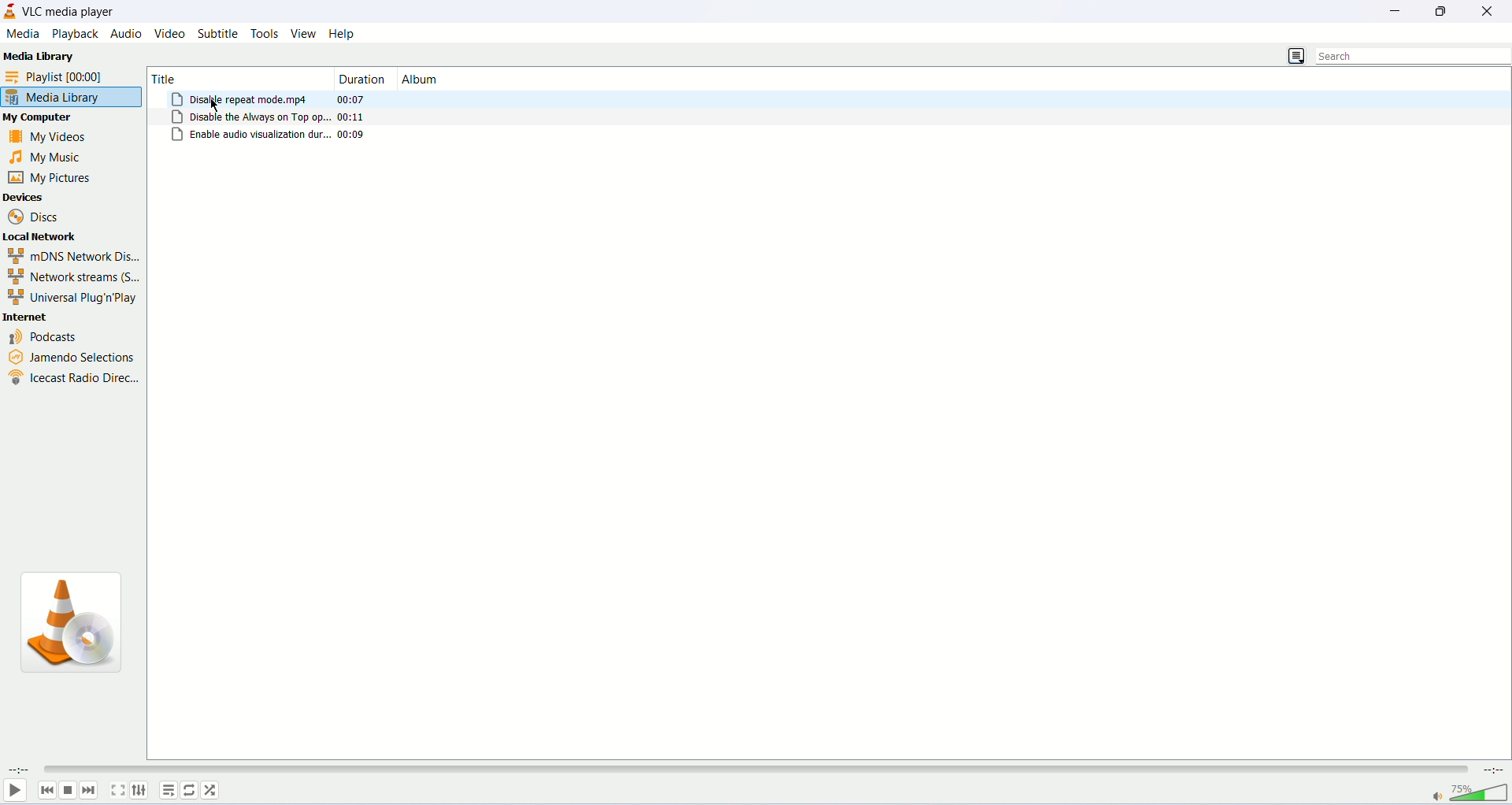 The image size is (1512, 805). What do you see at coordinates (265, 34) in the screenshot?
I see `tools` at bounding box center [265, 34].